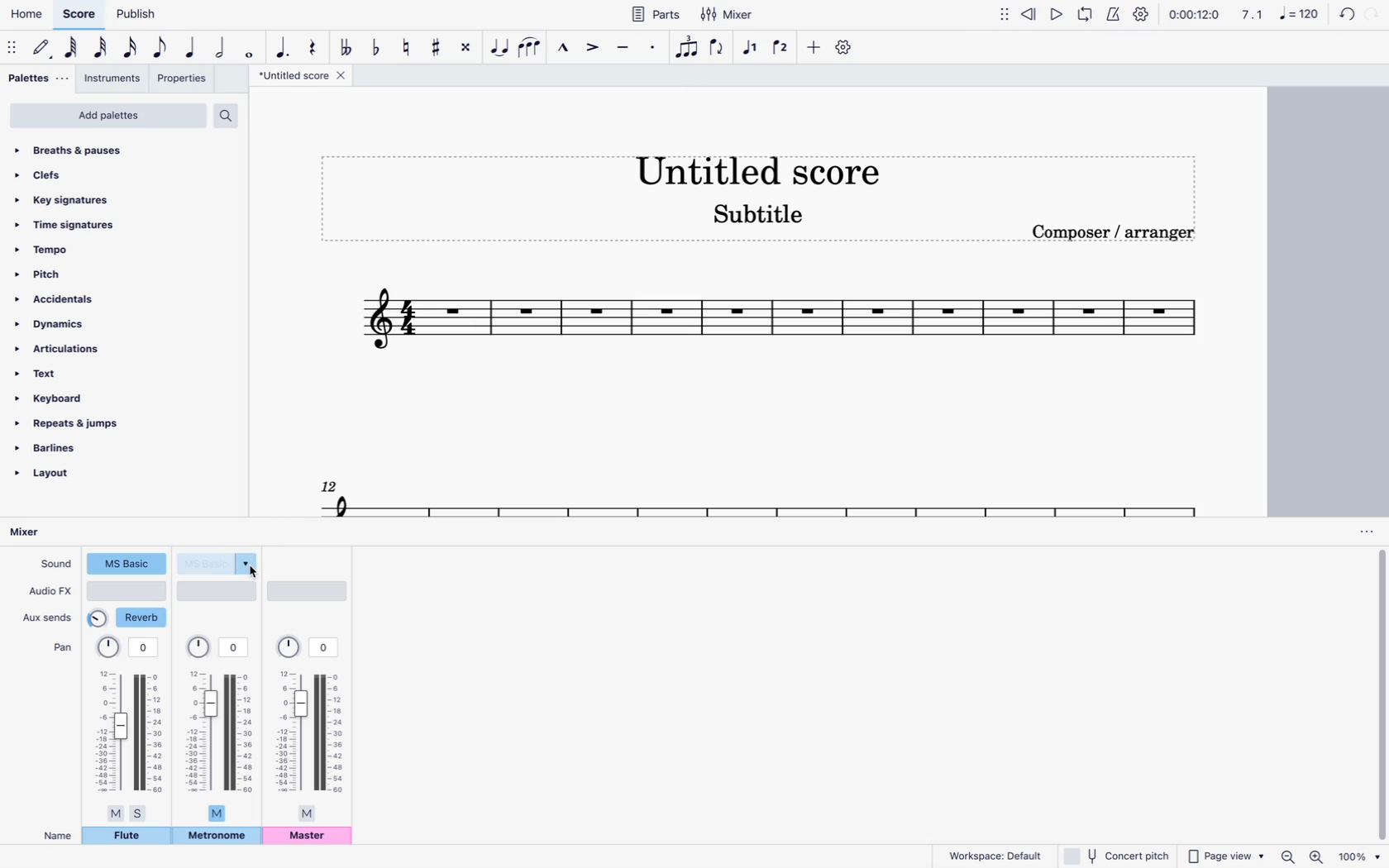  I want to click on sound type, so click(220, 563).